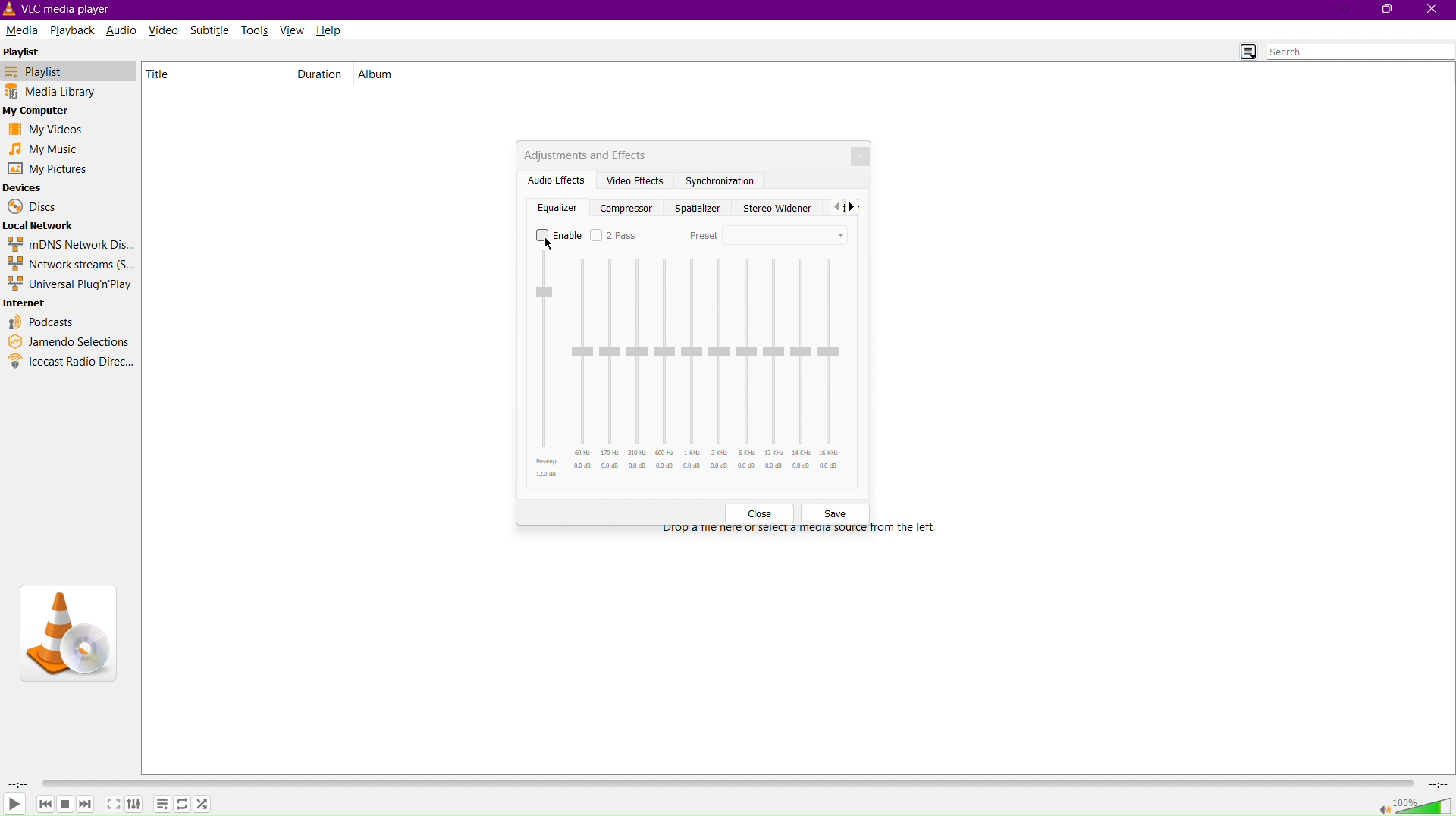  Describe the element at coordinates (718, 365) in the screenshot. I see `3 KHz` at that location.